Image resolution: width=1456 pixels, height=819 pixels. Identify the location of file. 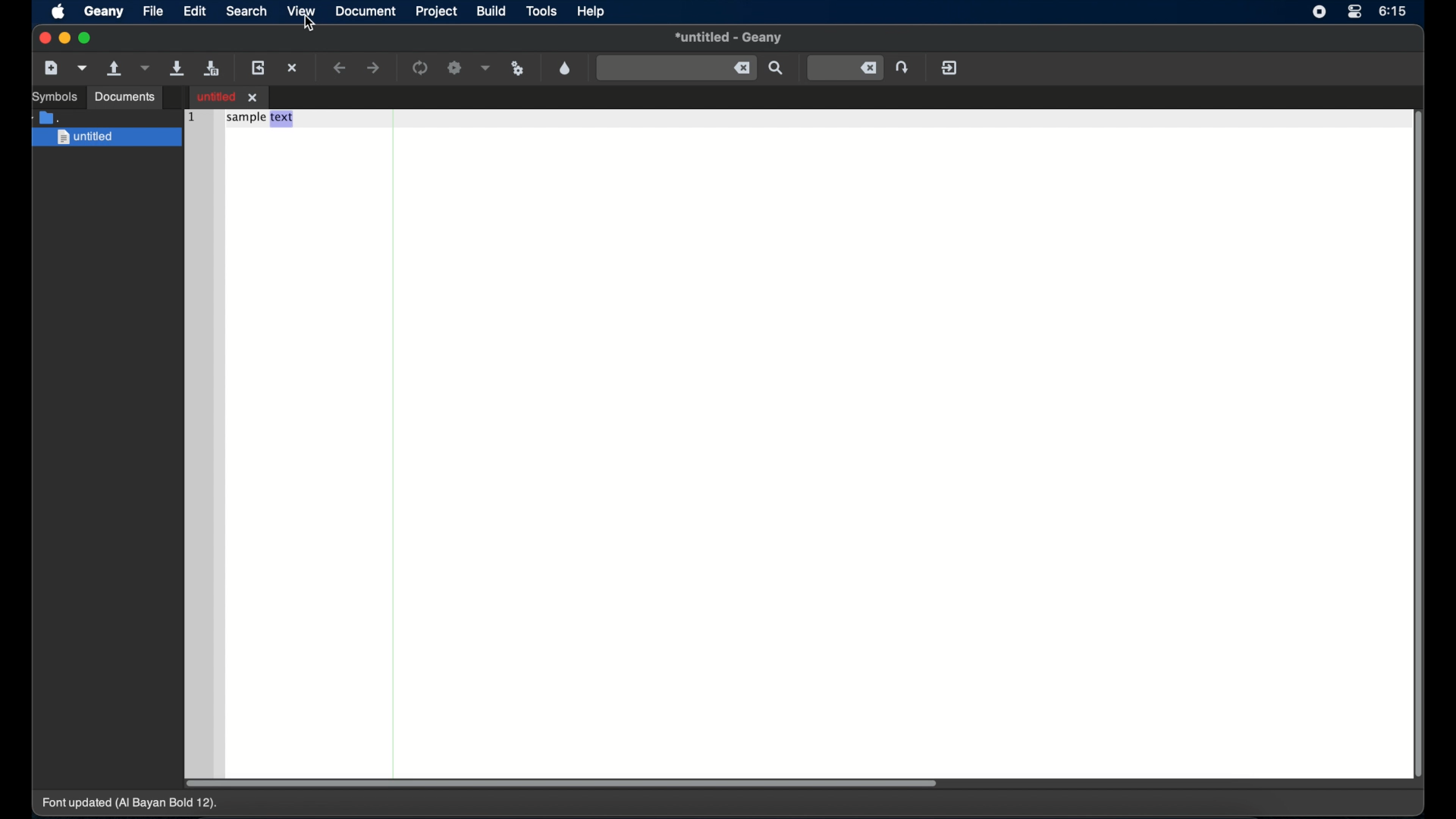
(153, 11).